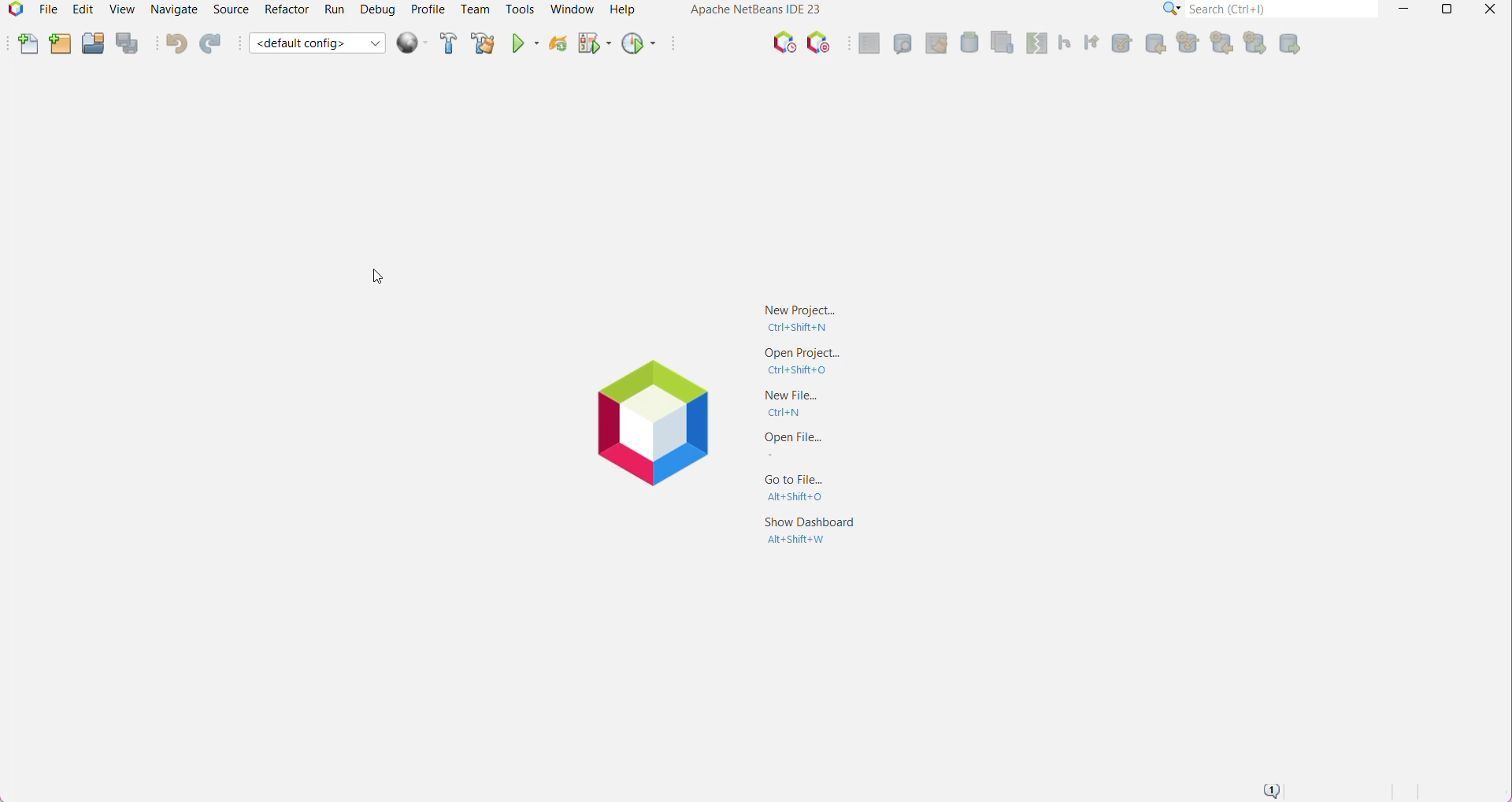 The width and height of the screenshot is (1512, 802). I want to click on Notifications, so click(1270, 790).